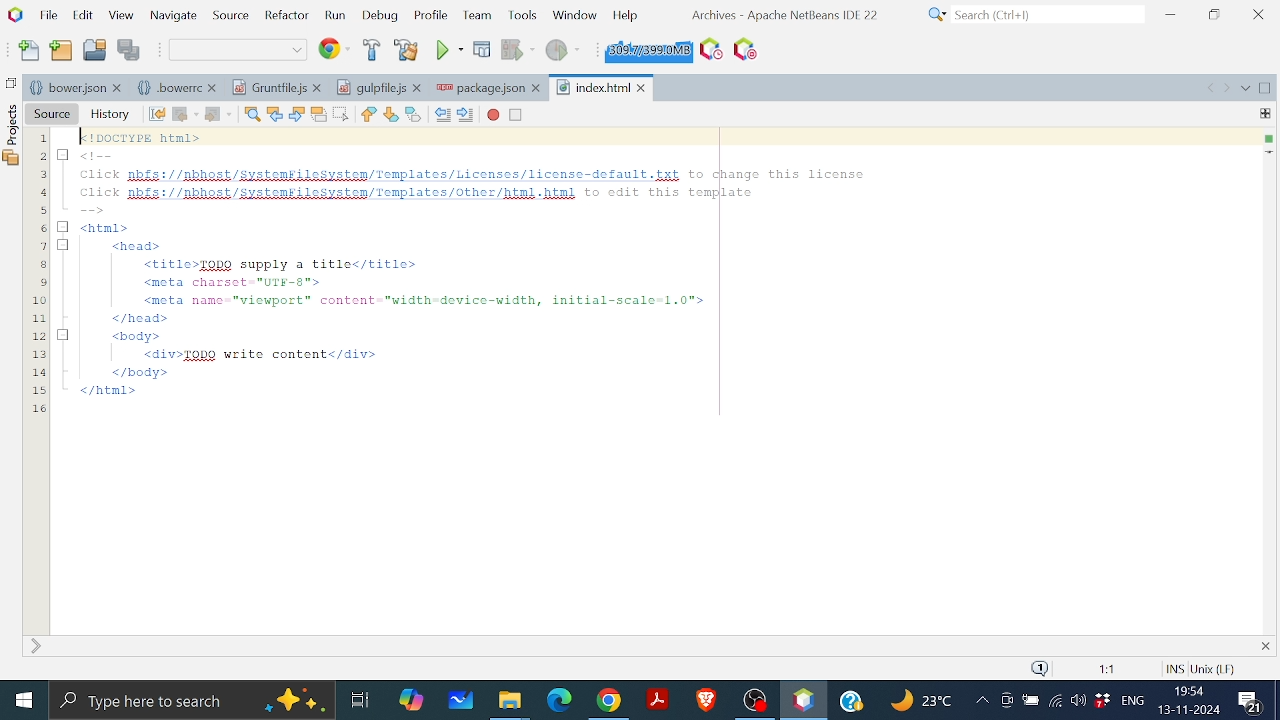  What do you see at coordinates (709, 50) in the screenshot?
I see `Task Scheduling` at bounding box center [709, 50].